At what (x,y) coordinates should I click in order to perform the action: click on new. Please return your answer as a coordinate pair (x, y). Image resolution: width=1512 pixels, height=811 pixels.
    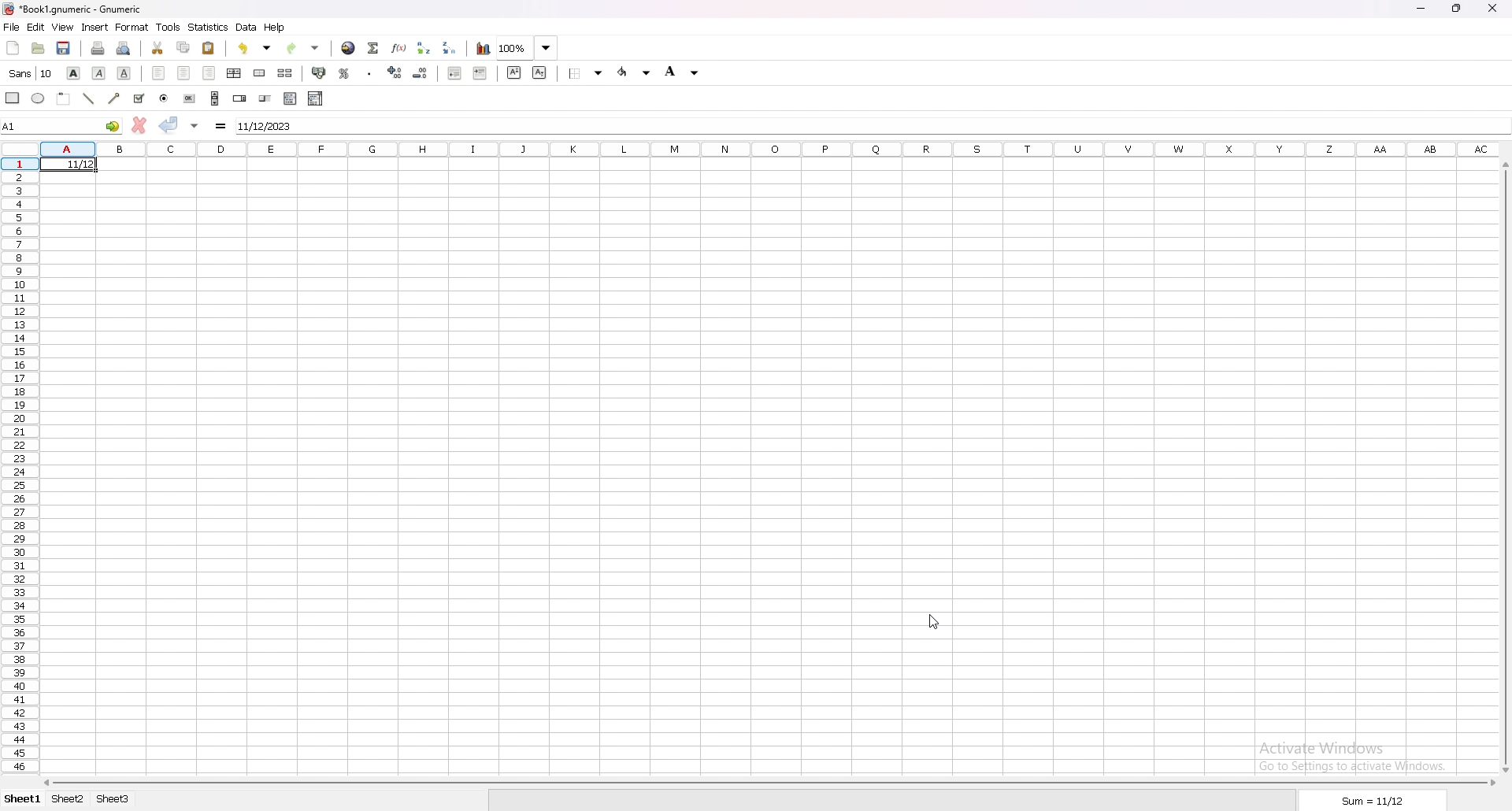
    Looking at the image, I should click on (13, 48).